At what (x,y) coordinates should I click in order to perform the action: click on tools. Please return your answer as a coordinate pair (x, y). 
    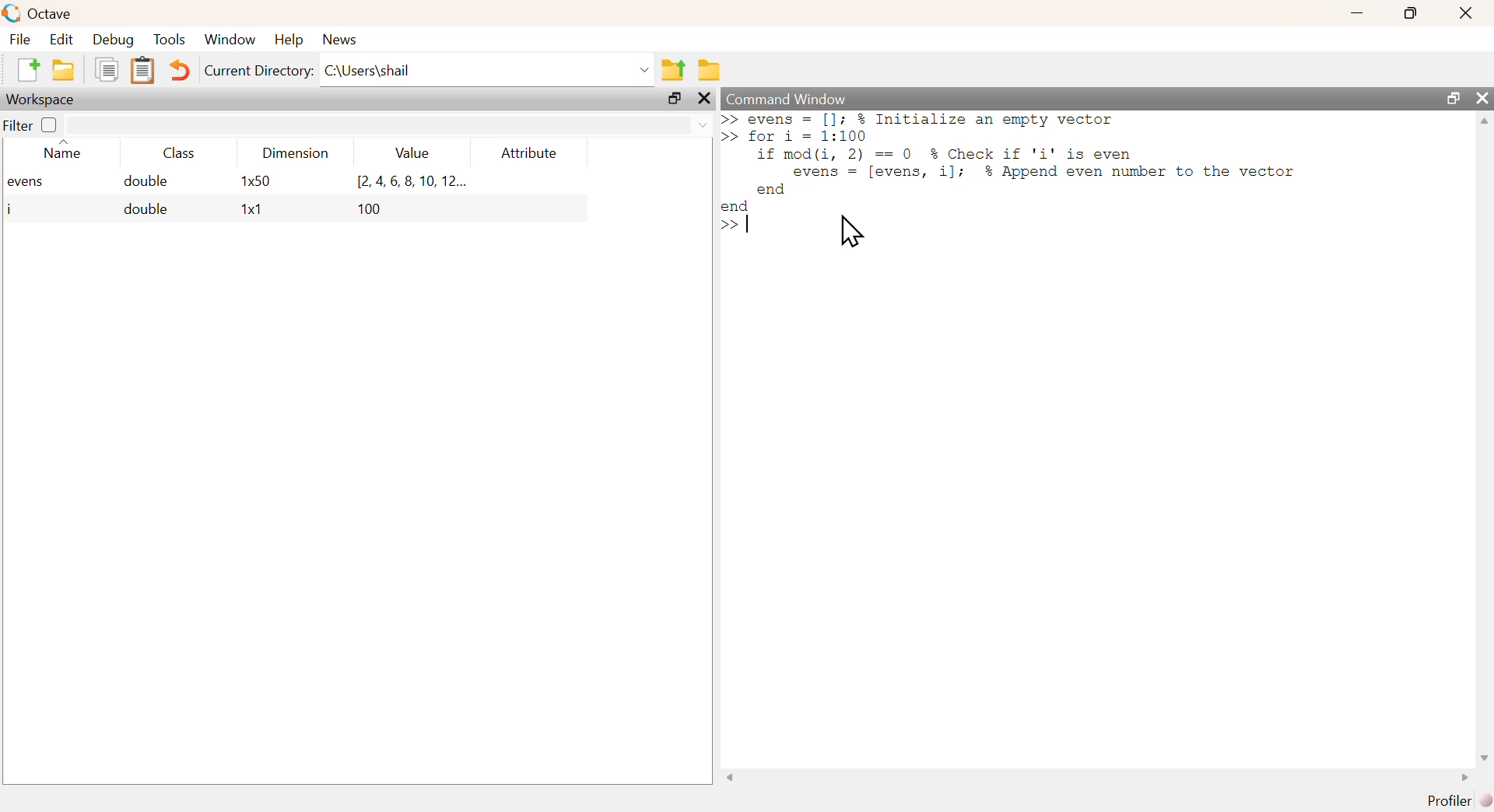
    Looking at the image, I should click on (172, 38).